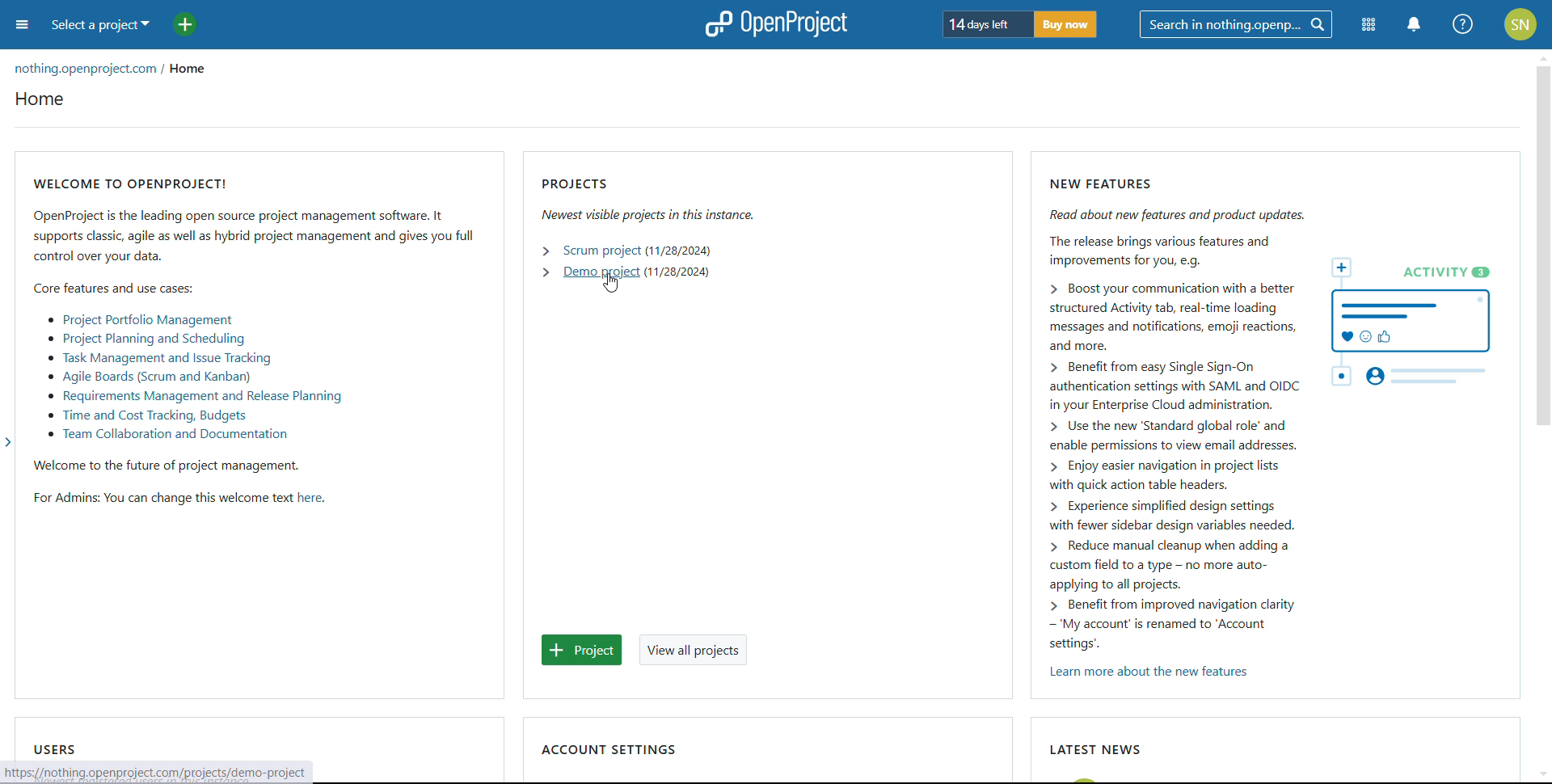  What do you see at coordinates (85, 70) in the screenshot?
I see `nothing.openproject.com` at bounding box center [85, 70].